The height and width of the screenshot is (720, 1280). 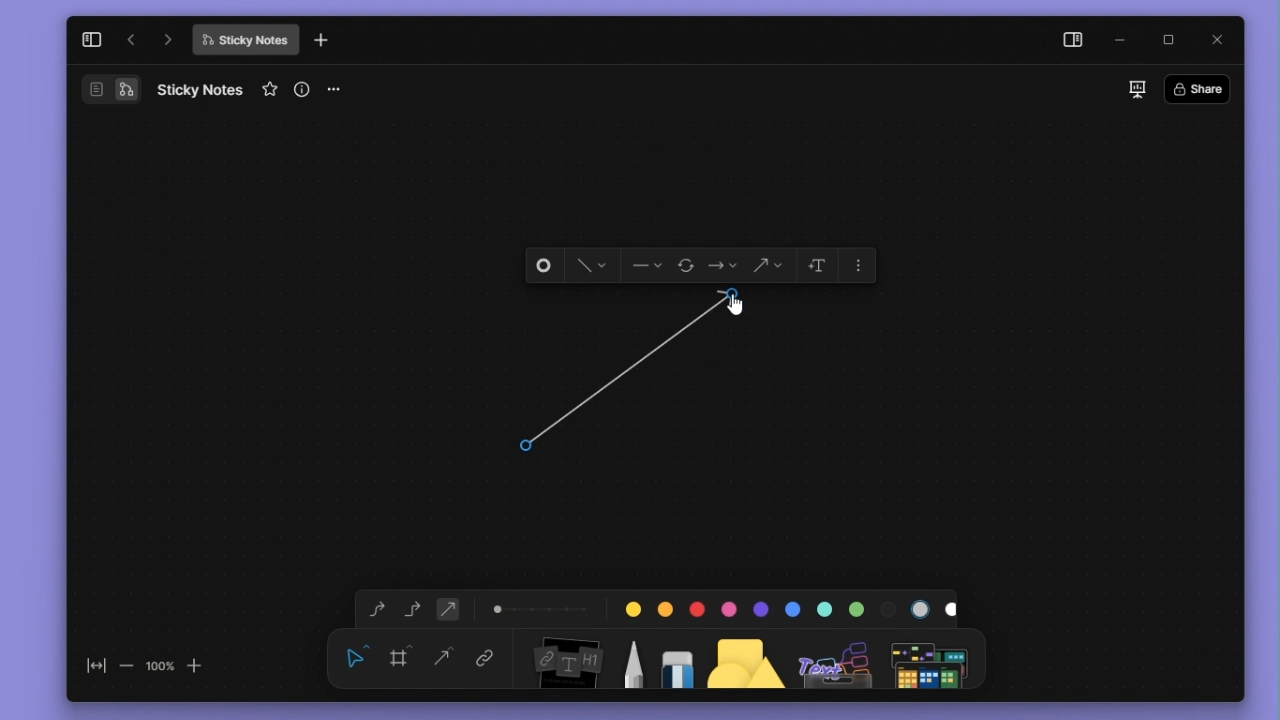 What do you see at coordinates (933, 658) in the screenshot?
I see `more` at bounding box center [933, 658].